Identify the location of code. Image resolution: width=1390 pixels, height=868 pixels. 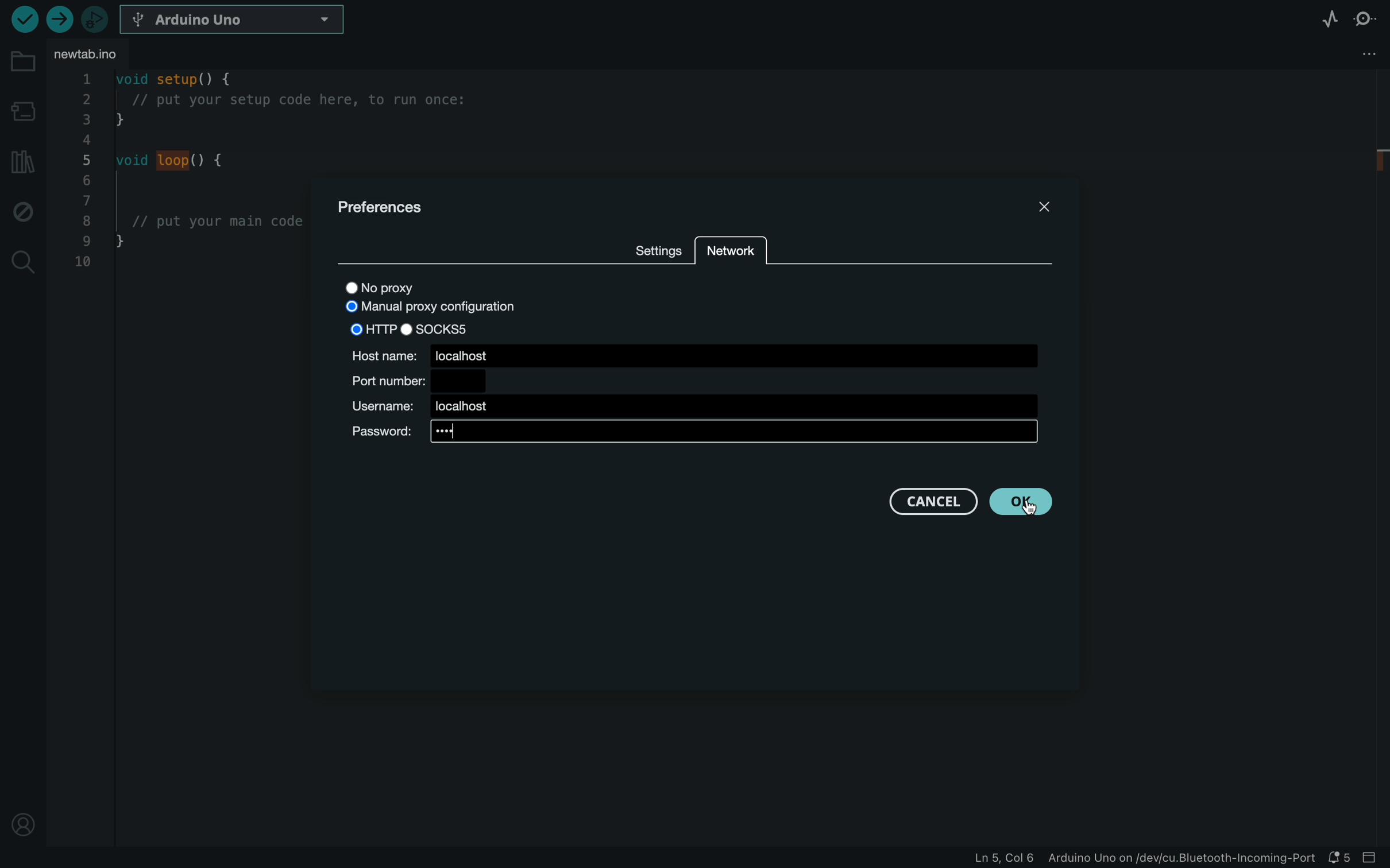
(183, 177).